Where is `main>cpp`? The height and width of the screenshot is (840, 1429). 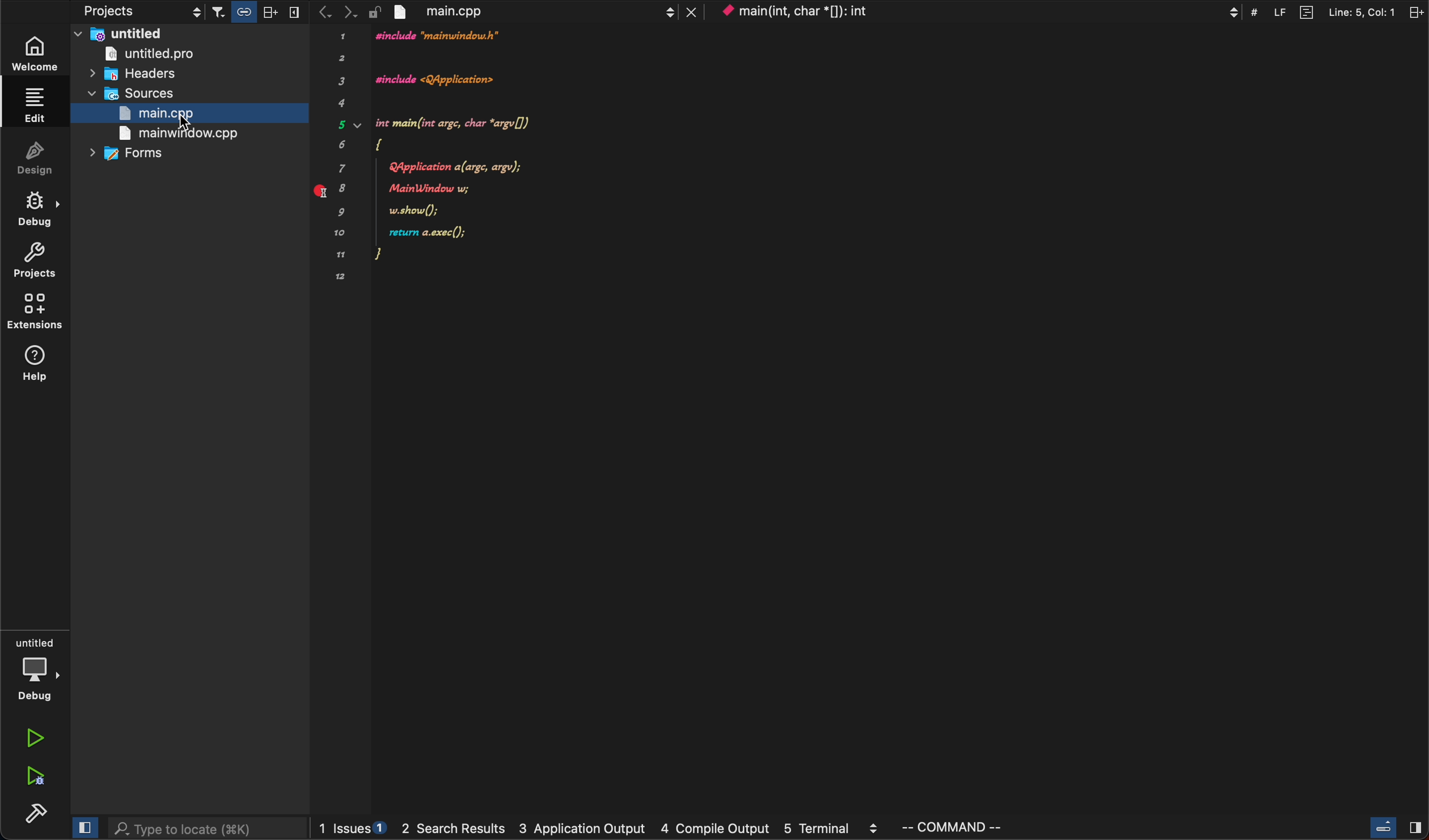
main>cpp is located at coordinates (175, 112).